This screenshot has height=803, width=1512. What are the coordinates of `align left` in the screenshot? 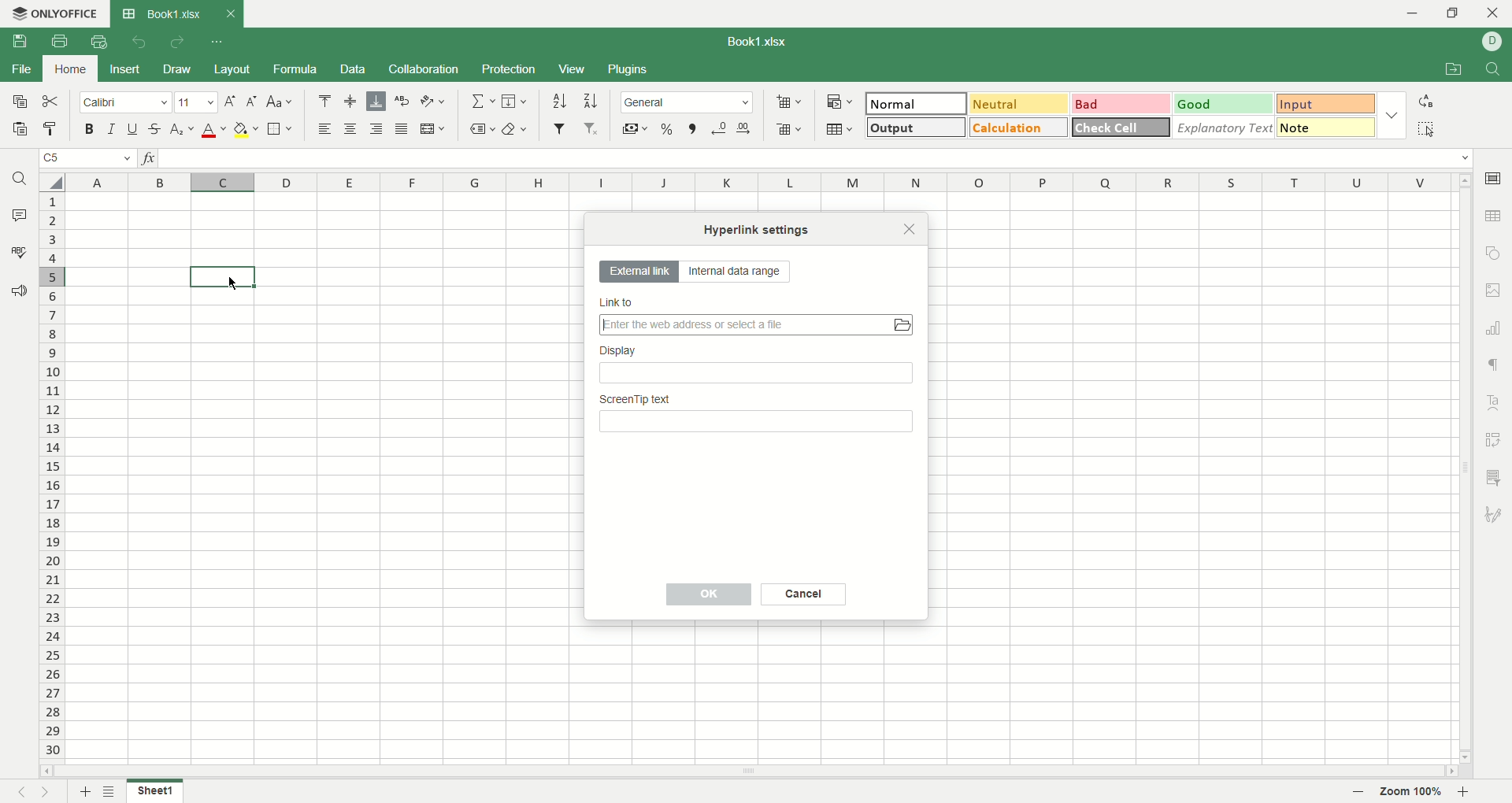 It's located at (328, 130).